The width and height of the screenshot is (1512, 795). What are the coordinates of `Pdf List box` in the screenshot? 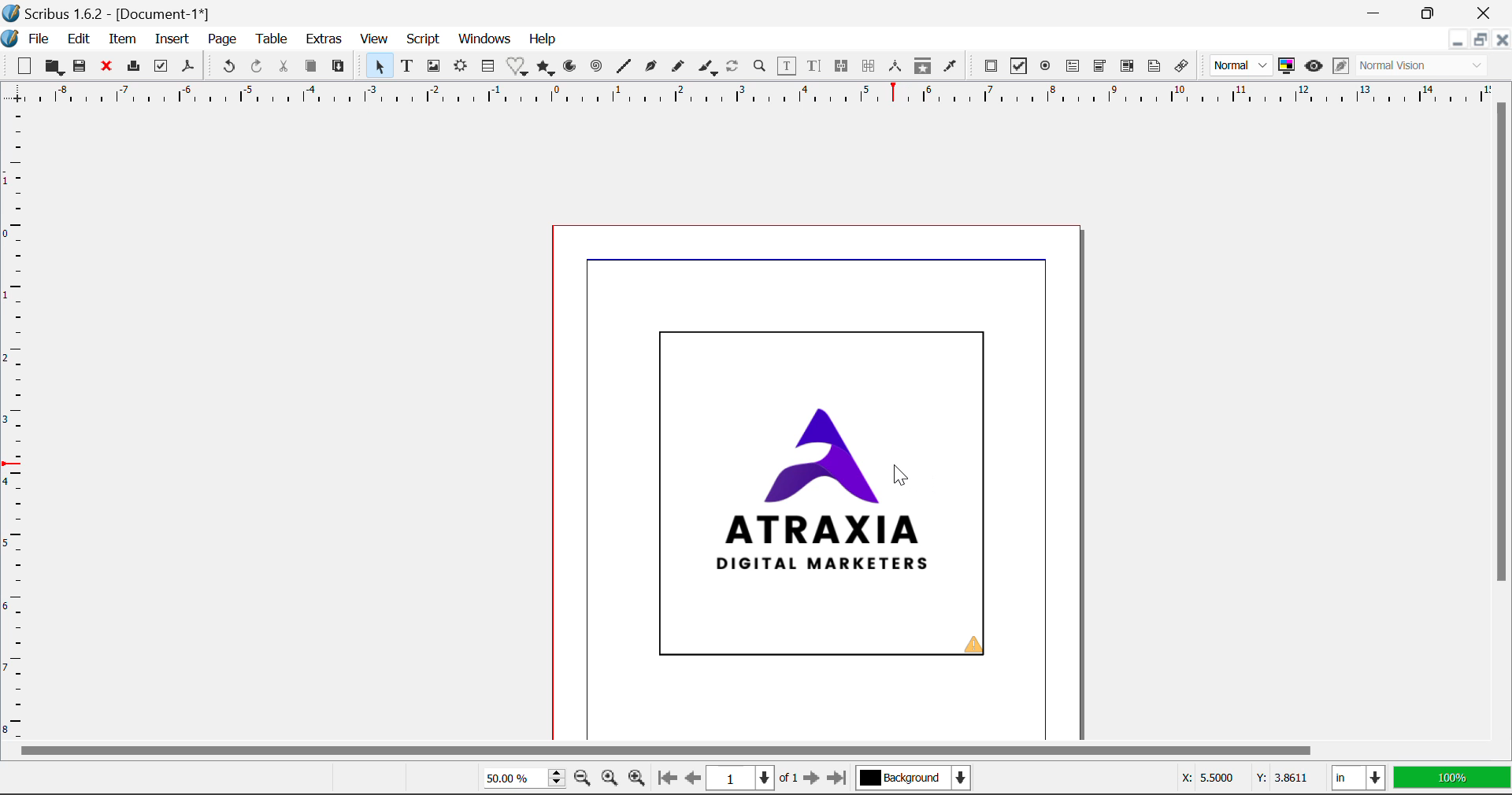 It's located at (1126, 68).